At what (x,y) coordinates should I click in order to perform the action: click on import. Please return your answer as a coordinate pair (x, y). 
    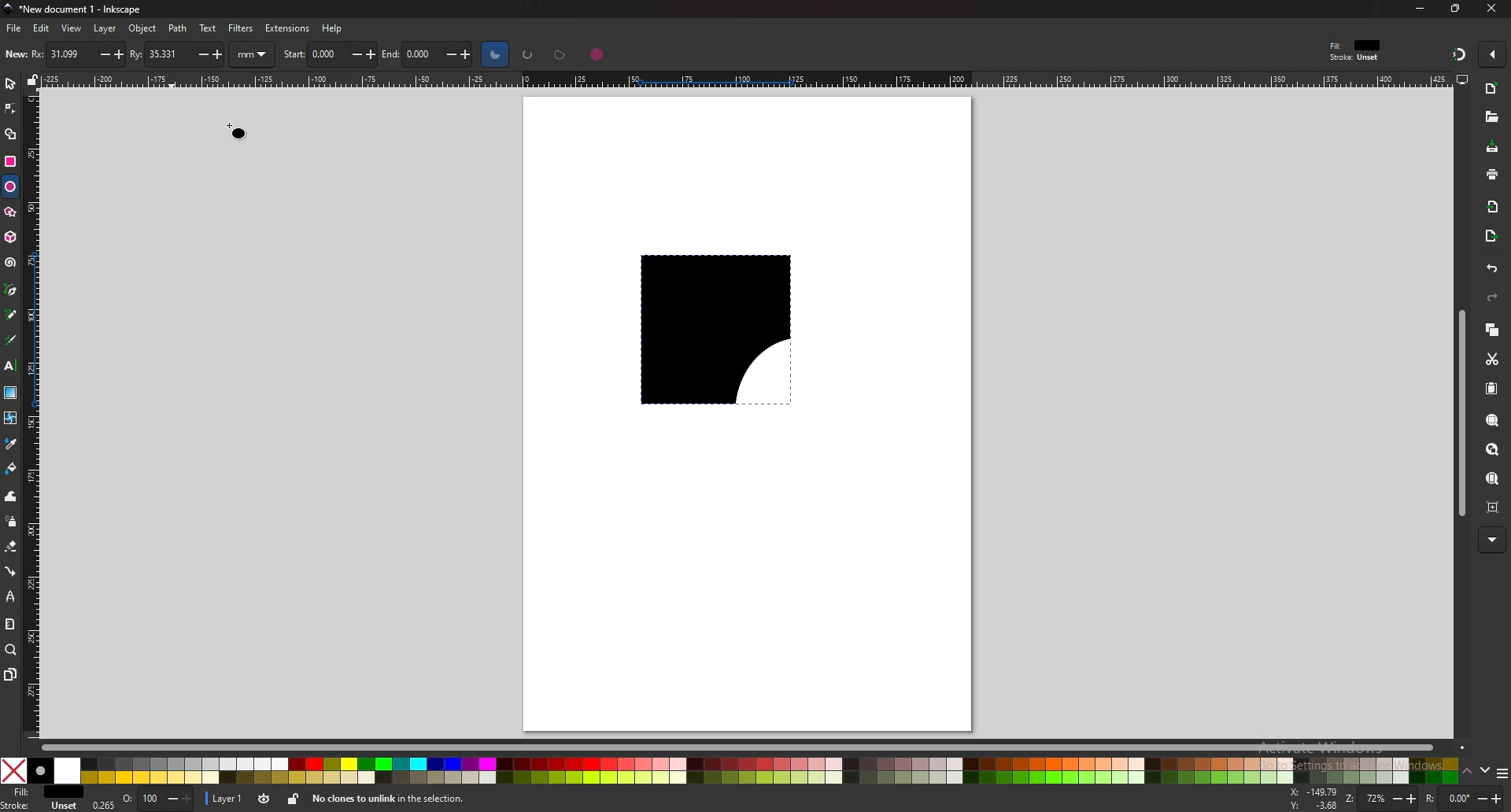
    Looking at the image, I should click on (1492, 205).